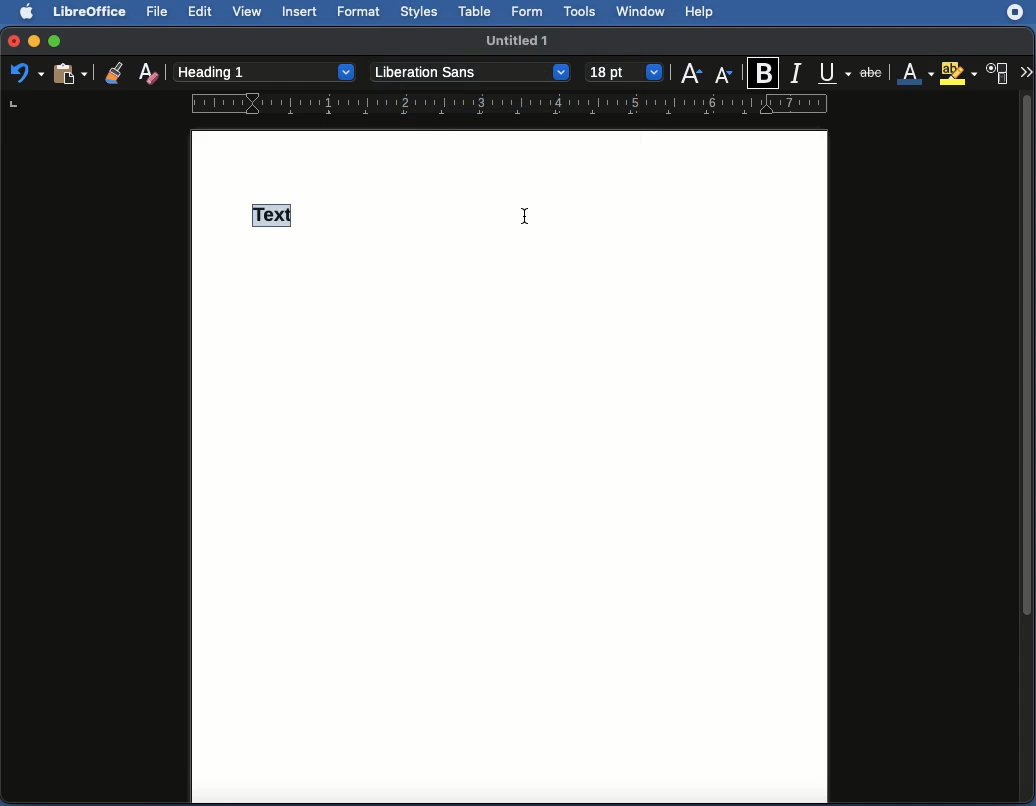  What do you see at coordinates (1015, 13) in the screenshot?
I see `Extension` at bounding box center [1015, 13].